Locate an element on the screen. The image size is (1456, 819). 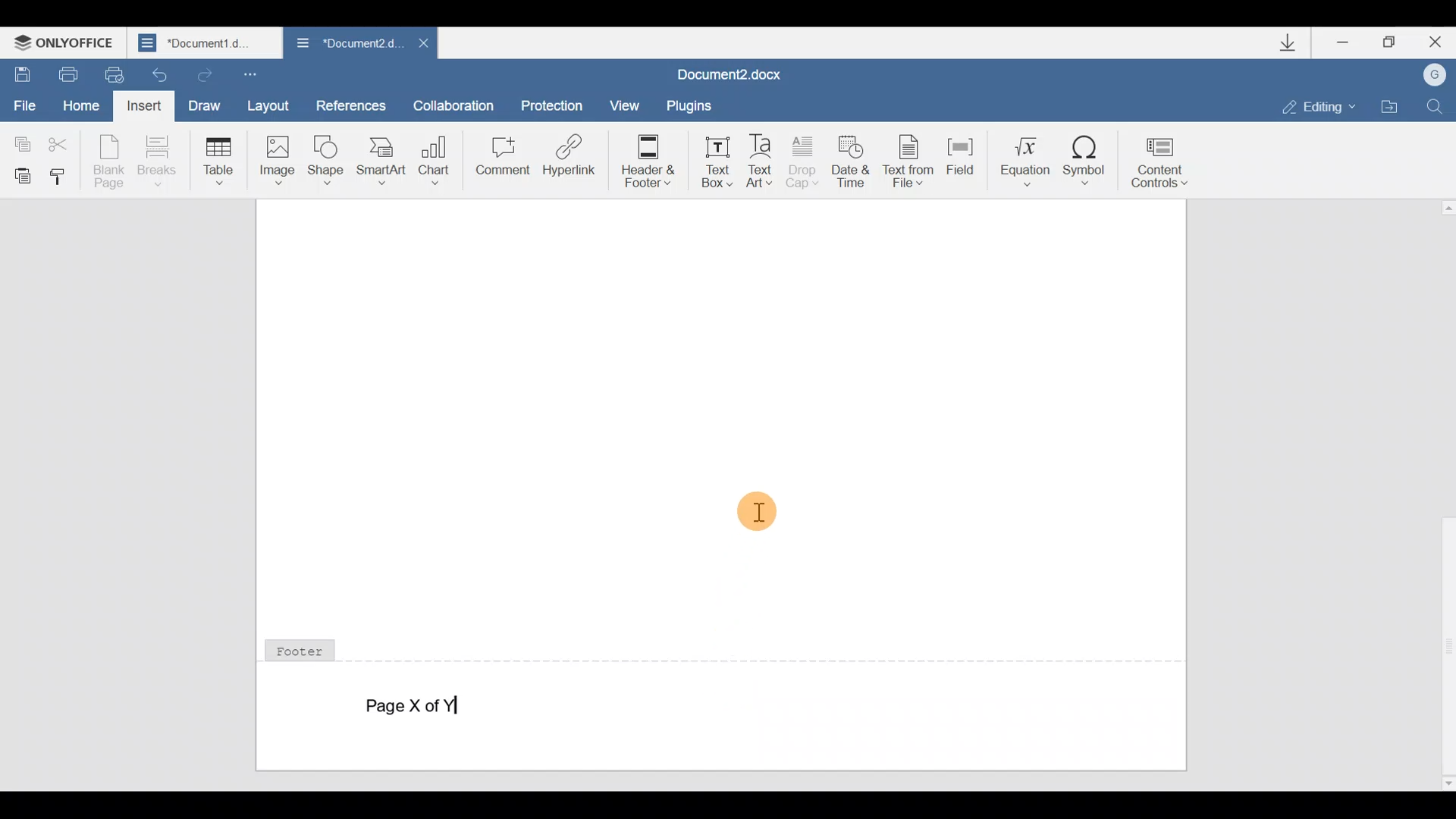
Image is located at coordinates (277, 160).